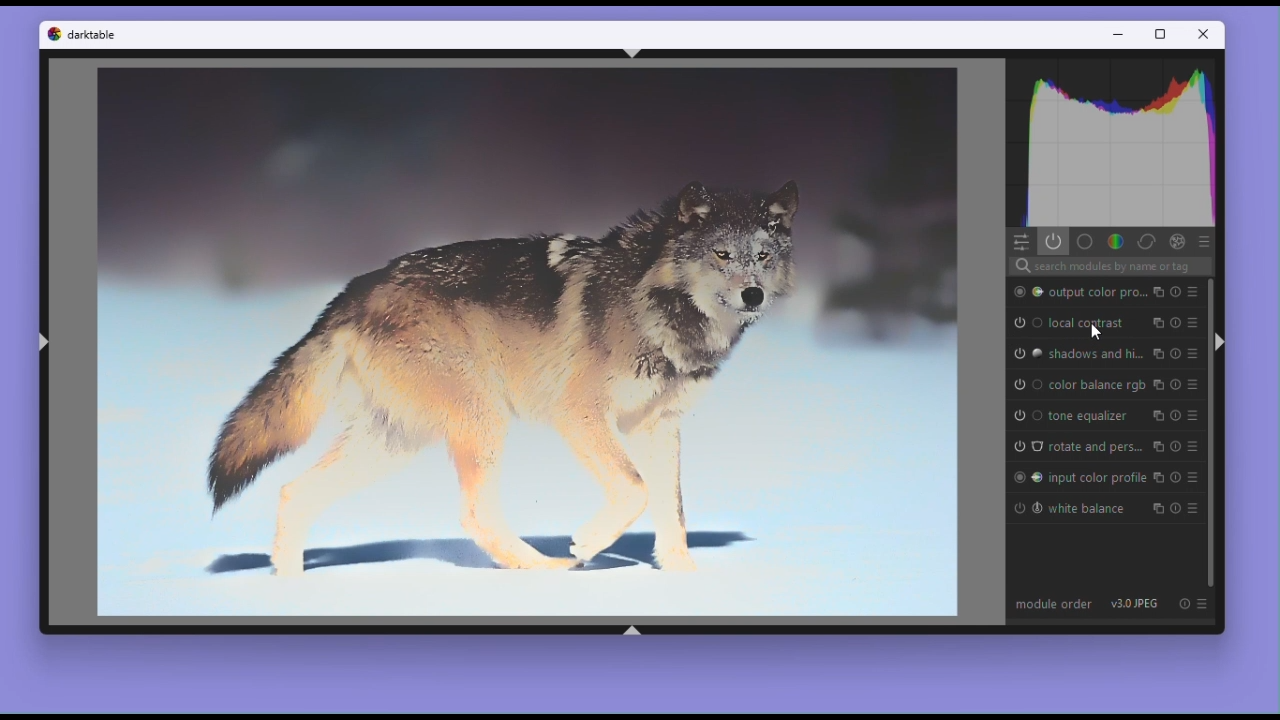 The image size is (1280, 720). What do you see at coordinates (1157, 414) in the screenshot?
I see `Multiple instance actions` at bounding box center [1157, 414].